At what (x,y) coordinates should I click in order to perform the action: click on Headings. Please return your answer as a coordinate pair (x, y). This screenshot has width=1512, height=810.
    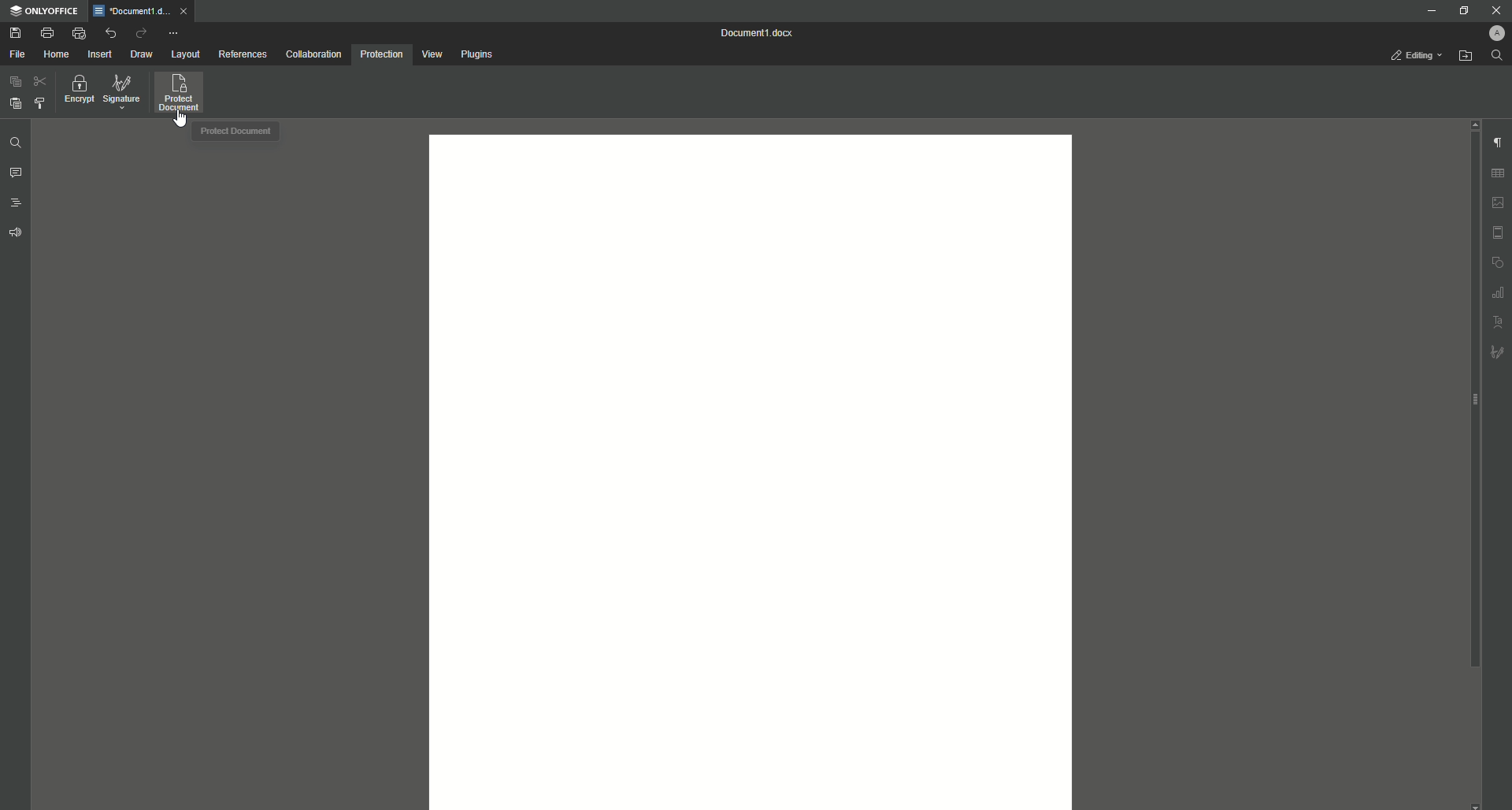
    Looking at the image, I should click on (17, 201).